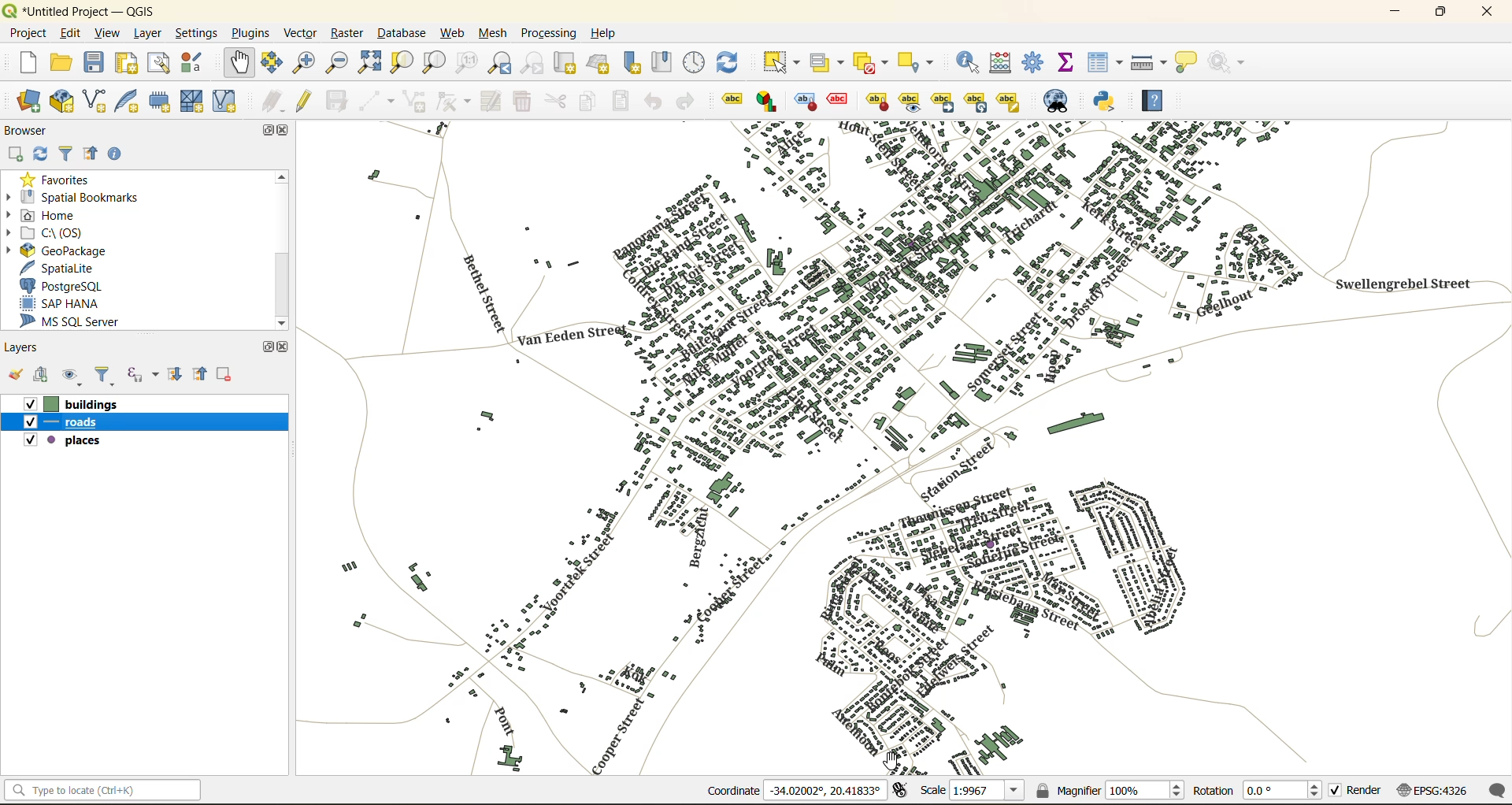  I want to click on edits, so click(274, 101).